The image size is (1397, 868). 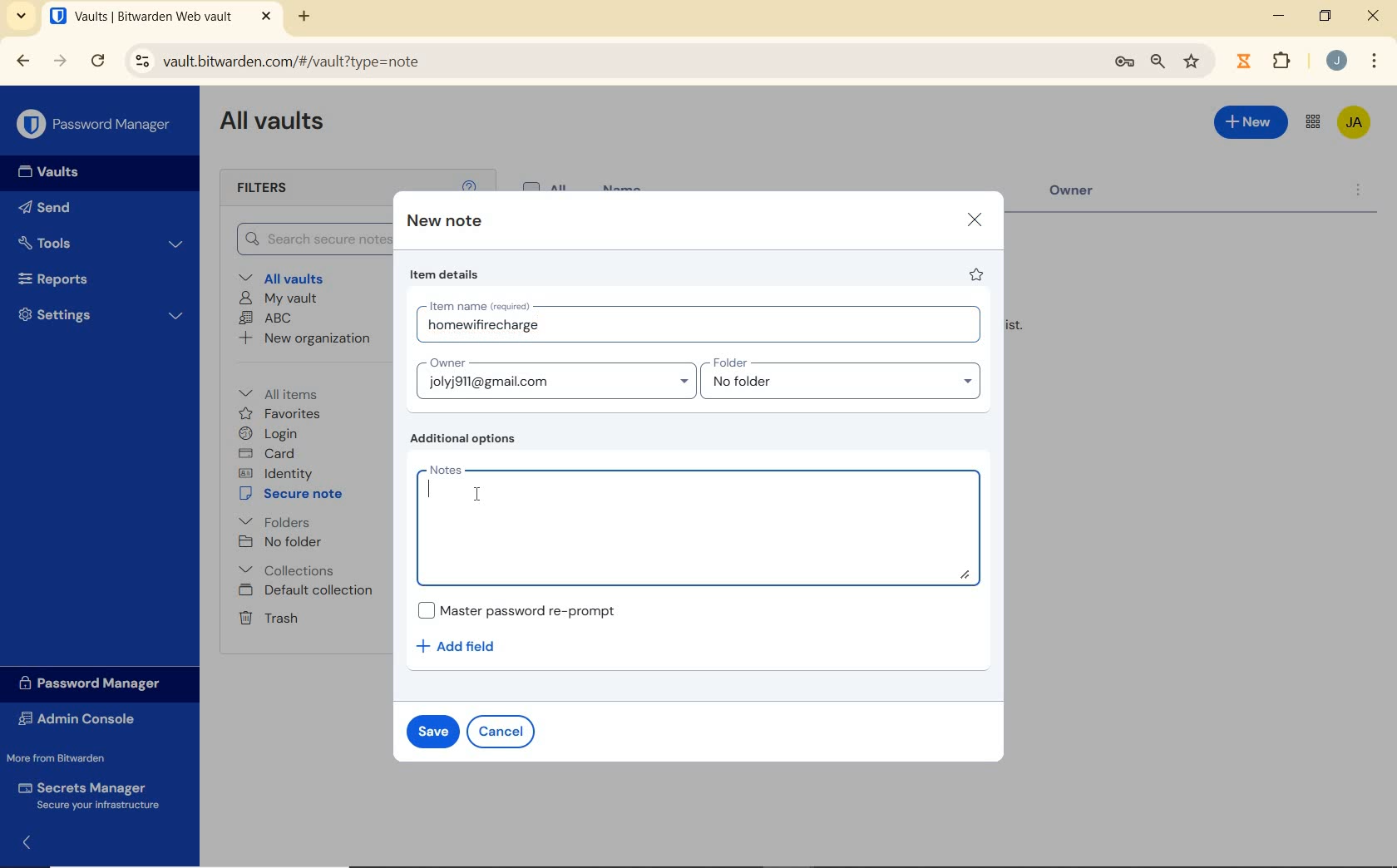 I want to click on item name, so click(x=703, y=324).